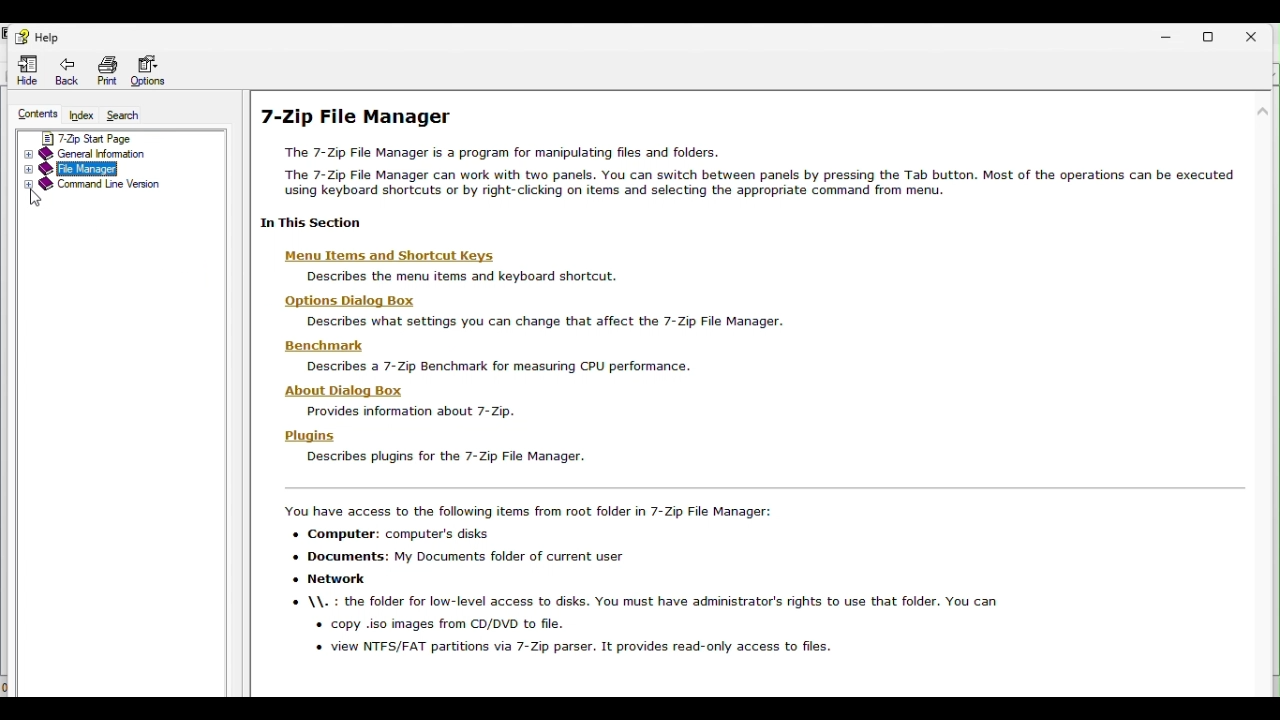 The height and width of the screenshot is (720, 1280). I want to click on Describes the menu items and keyboard shortcut., so click(463, 277).